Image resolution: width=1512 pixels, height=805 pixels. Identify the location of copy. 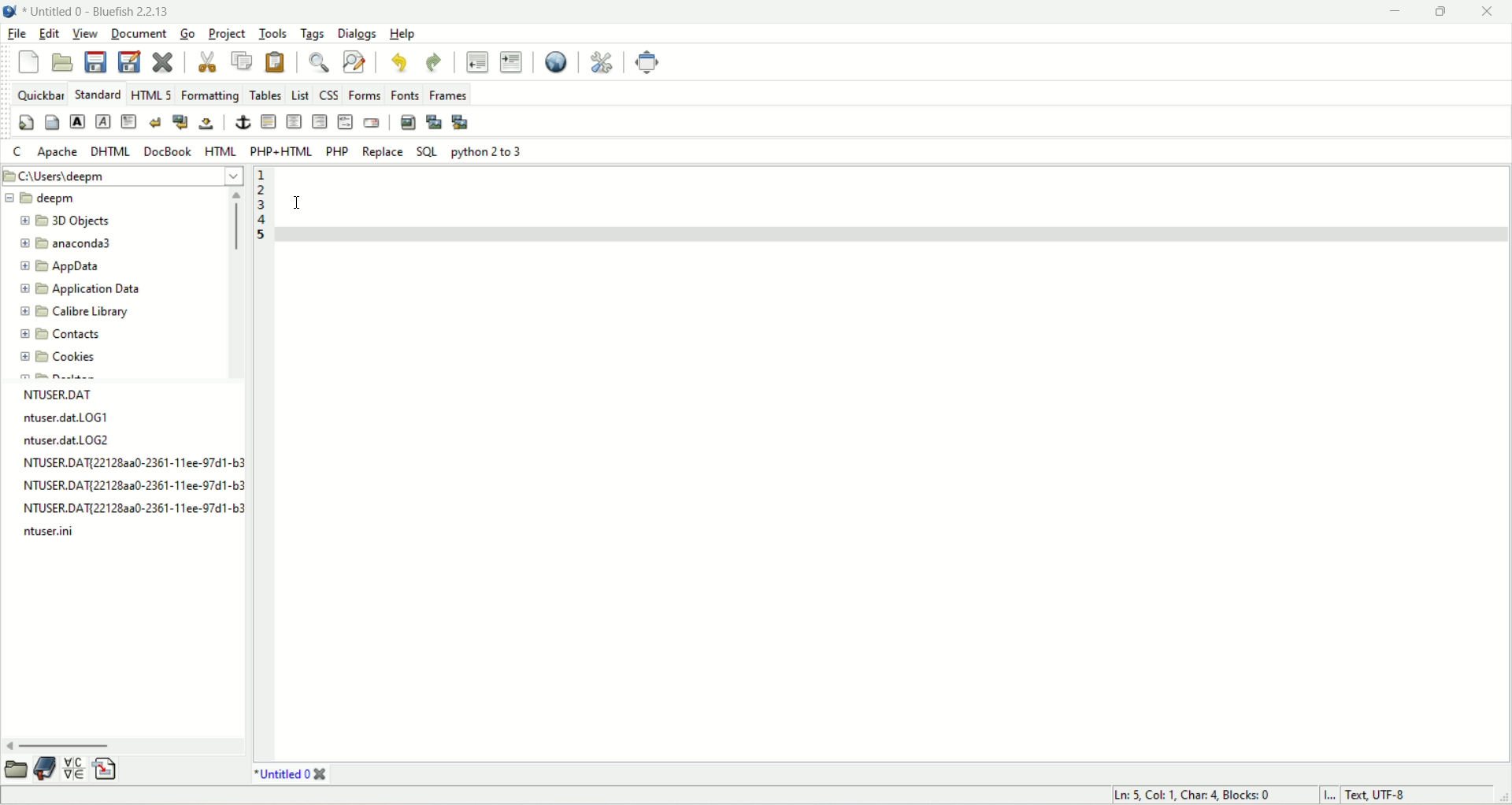
(243, 61).